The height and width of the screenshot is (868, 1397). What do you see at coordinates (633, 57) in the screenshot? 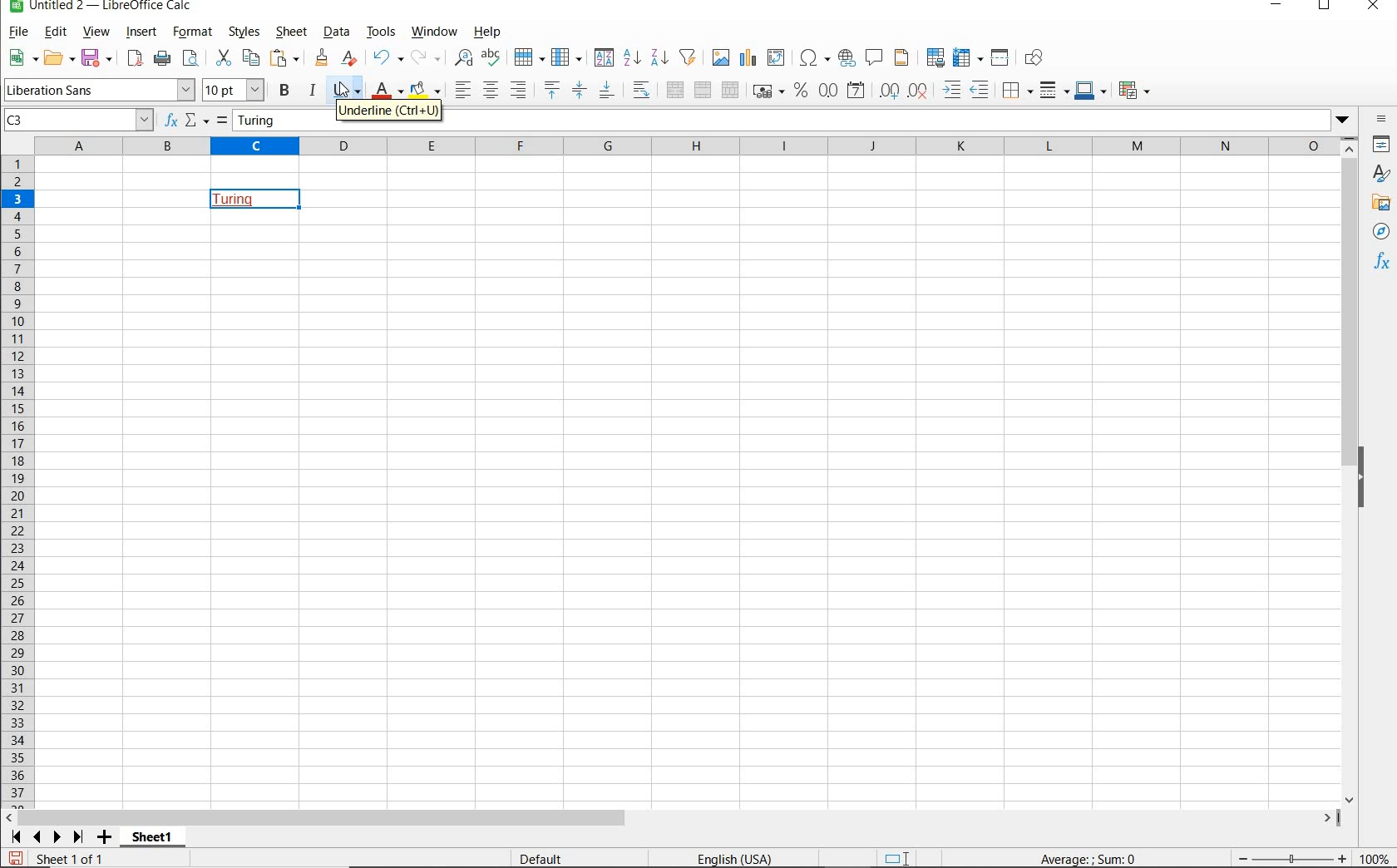
I see `SORT ASCENDING` at bounding box center [633, 57].